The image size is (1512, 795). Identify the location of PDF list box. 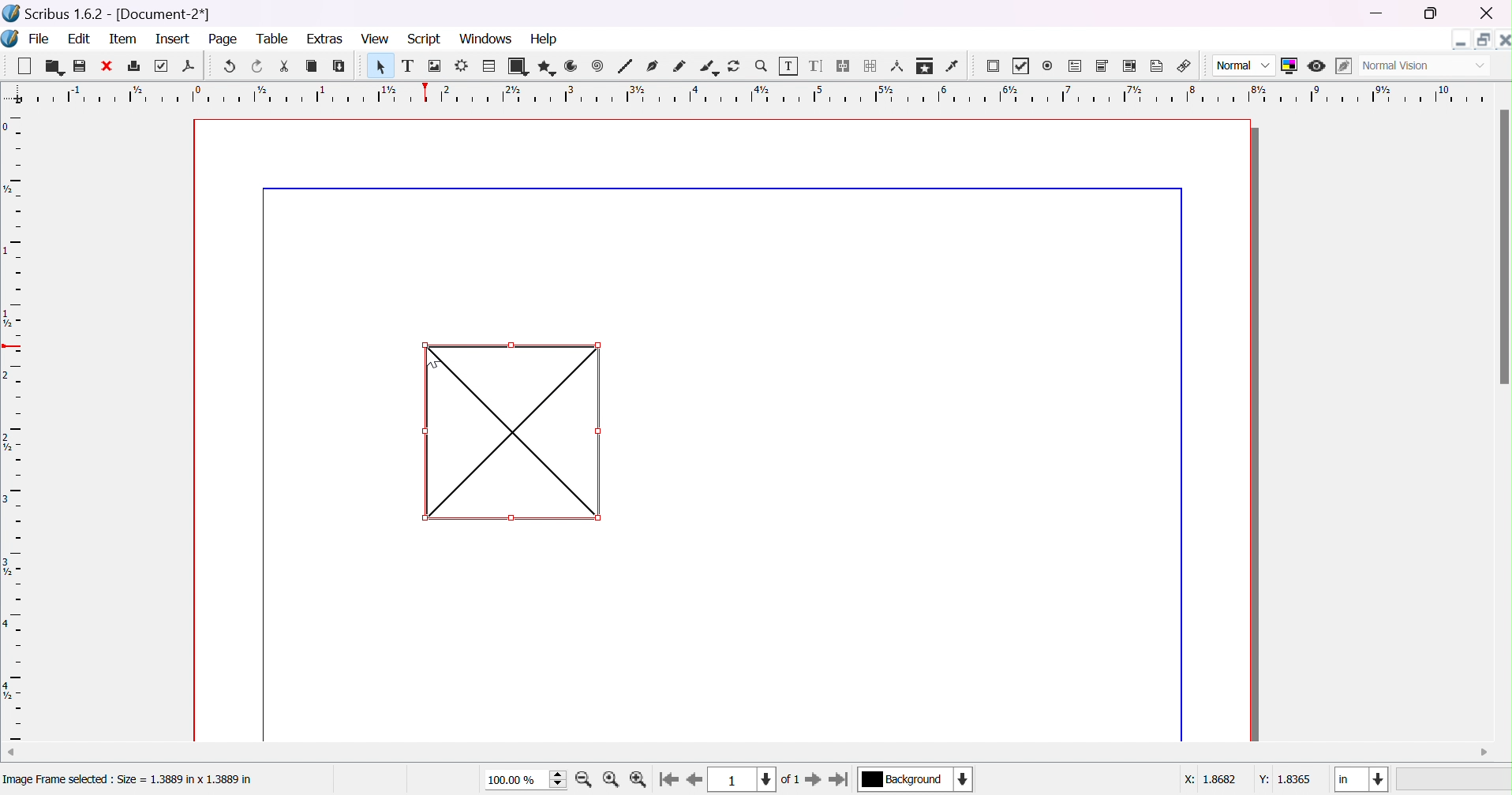
(1128, 65).